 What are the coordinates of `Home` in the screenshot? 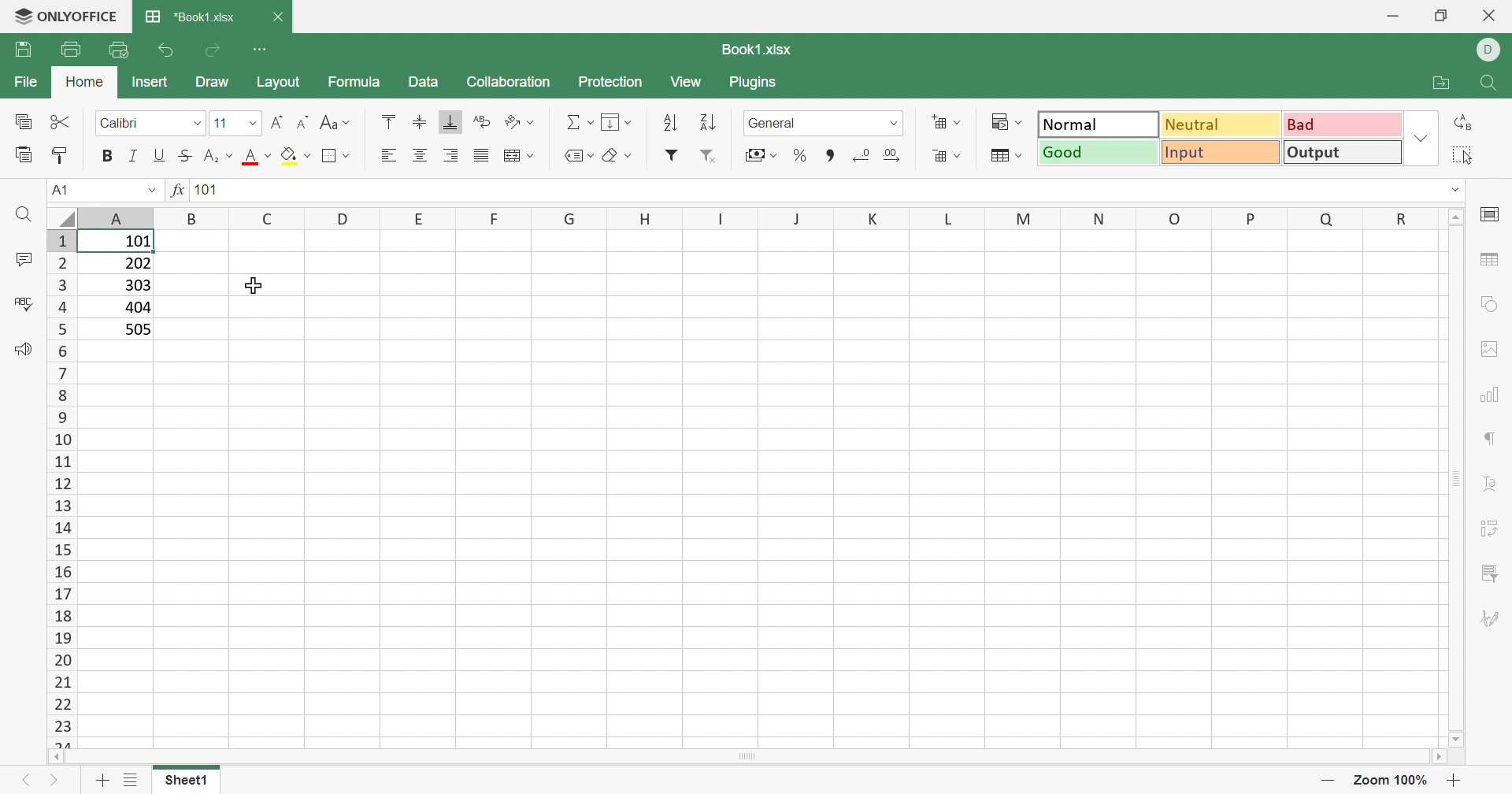 It's located at (87, 84).